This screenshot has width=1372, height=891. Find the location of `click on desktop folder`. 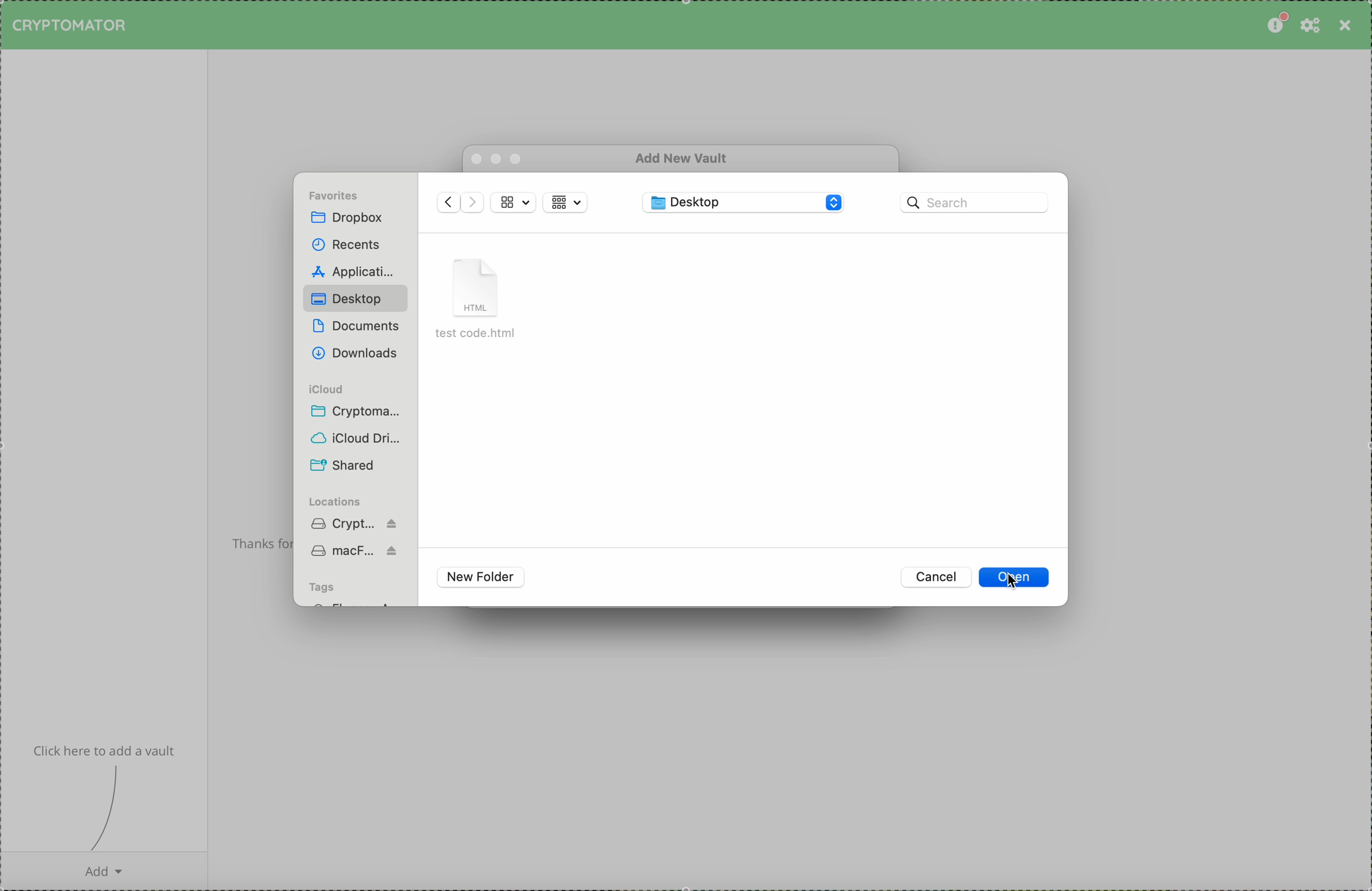

click on desktop folder is located at coordinates (353, 298).